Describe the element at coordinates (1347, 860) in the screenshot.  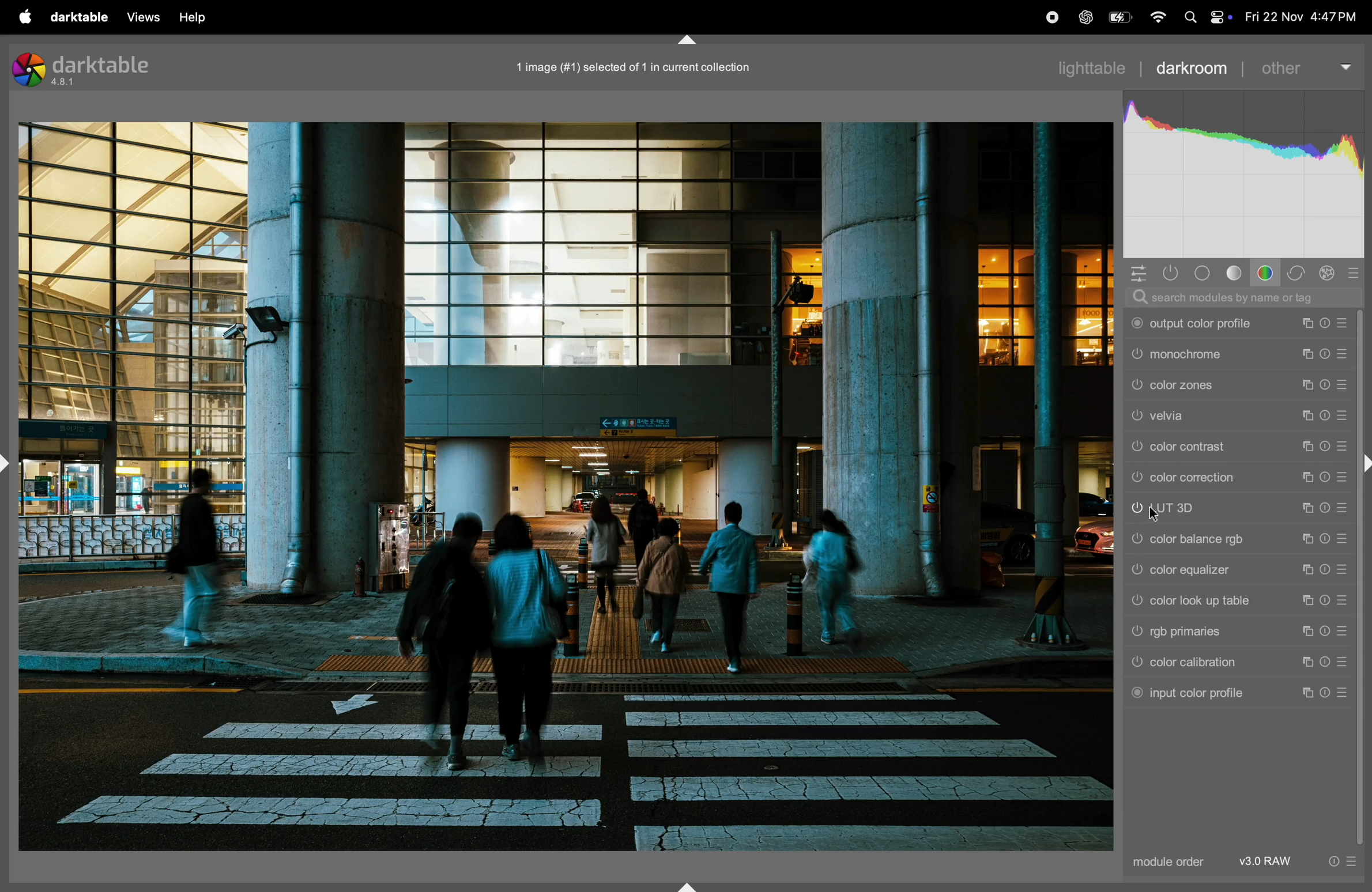
I see `info` at that location.